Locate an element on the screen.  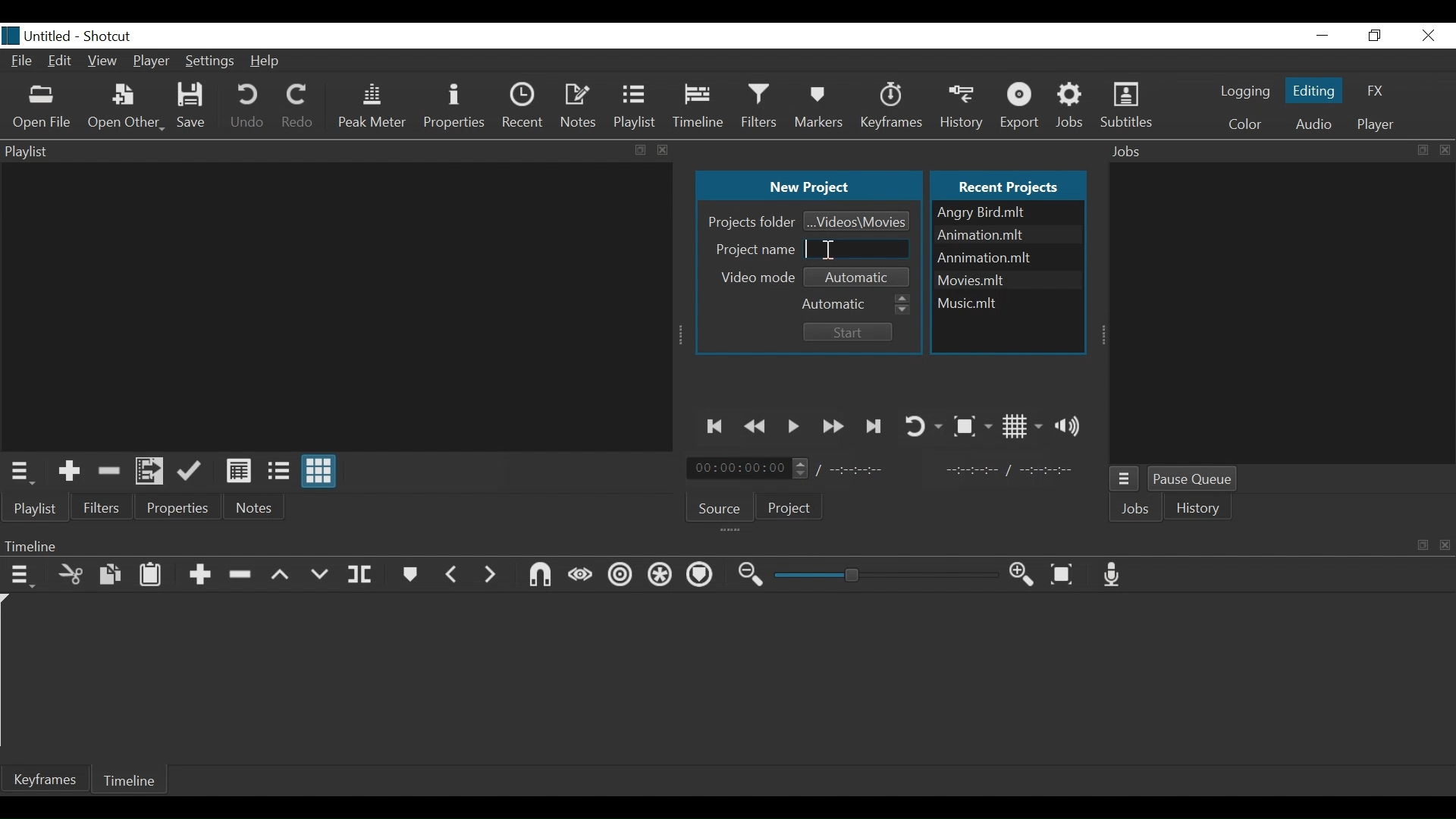
Timeline Menu is located at coordinates (22, 574).